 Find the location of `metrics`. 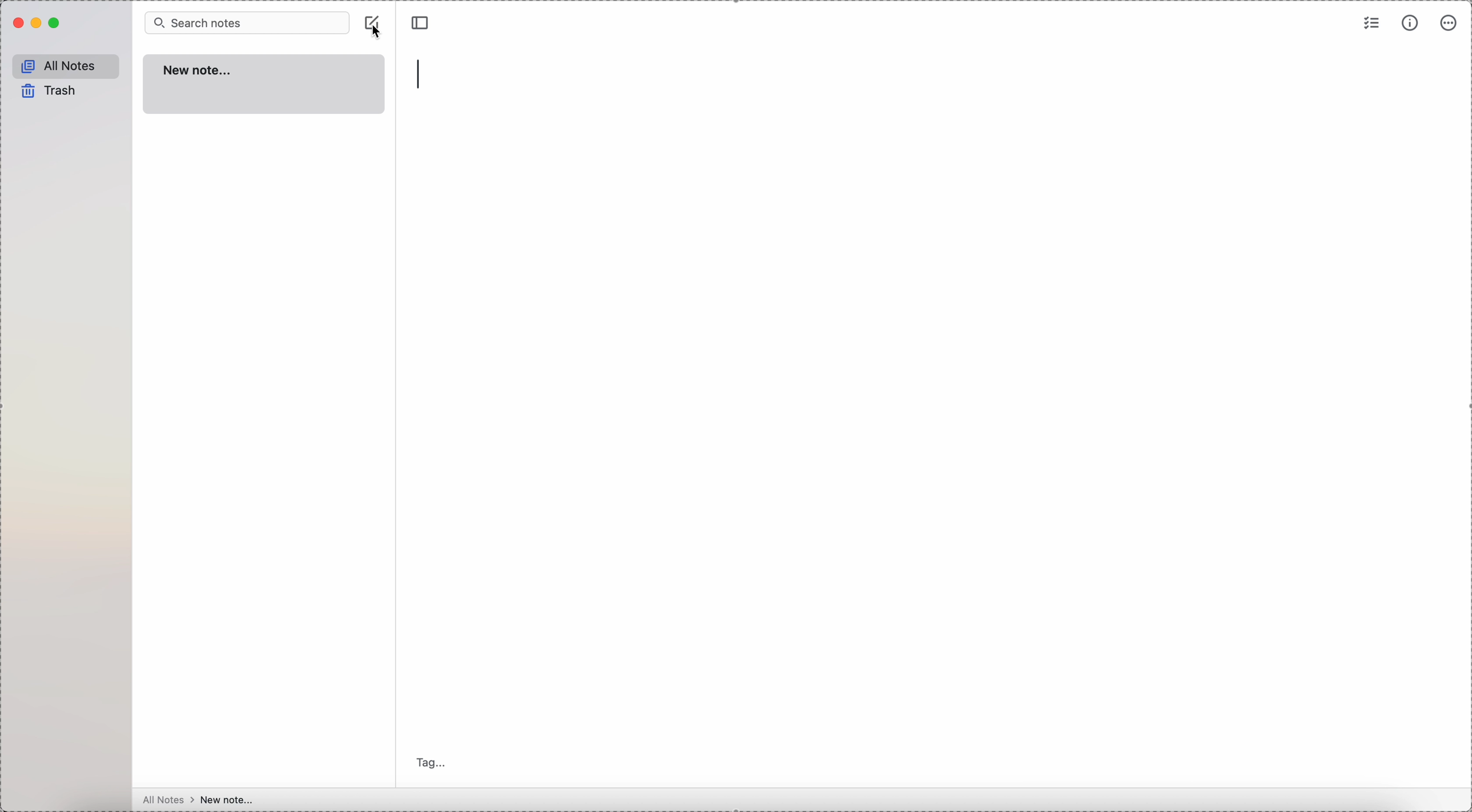

metrics is located at coordinates (1410, 25).